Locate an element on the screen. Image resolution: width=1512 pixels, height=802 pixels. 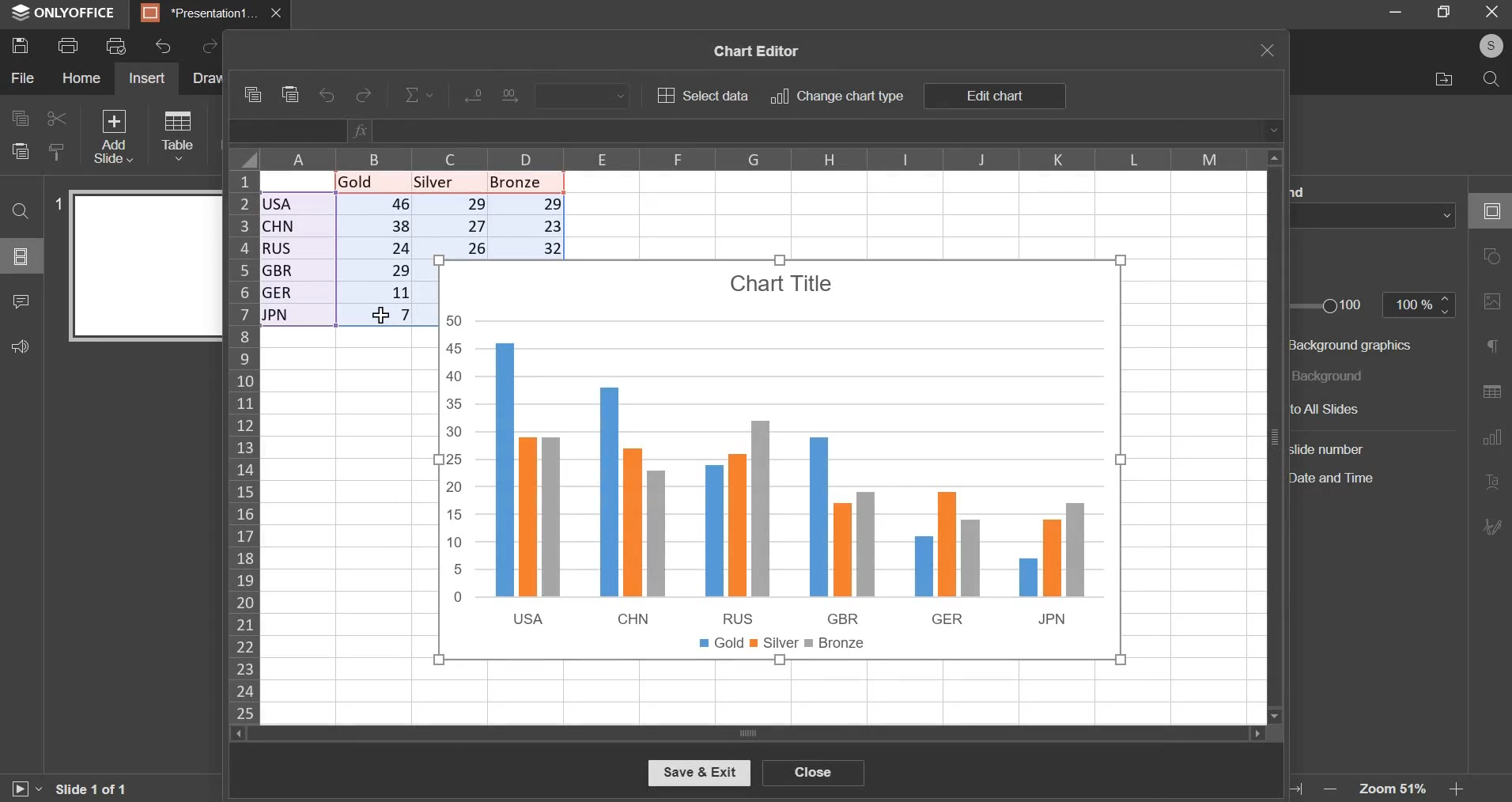
mouse pointer is located at coordinates (381, 313).